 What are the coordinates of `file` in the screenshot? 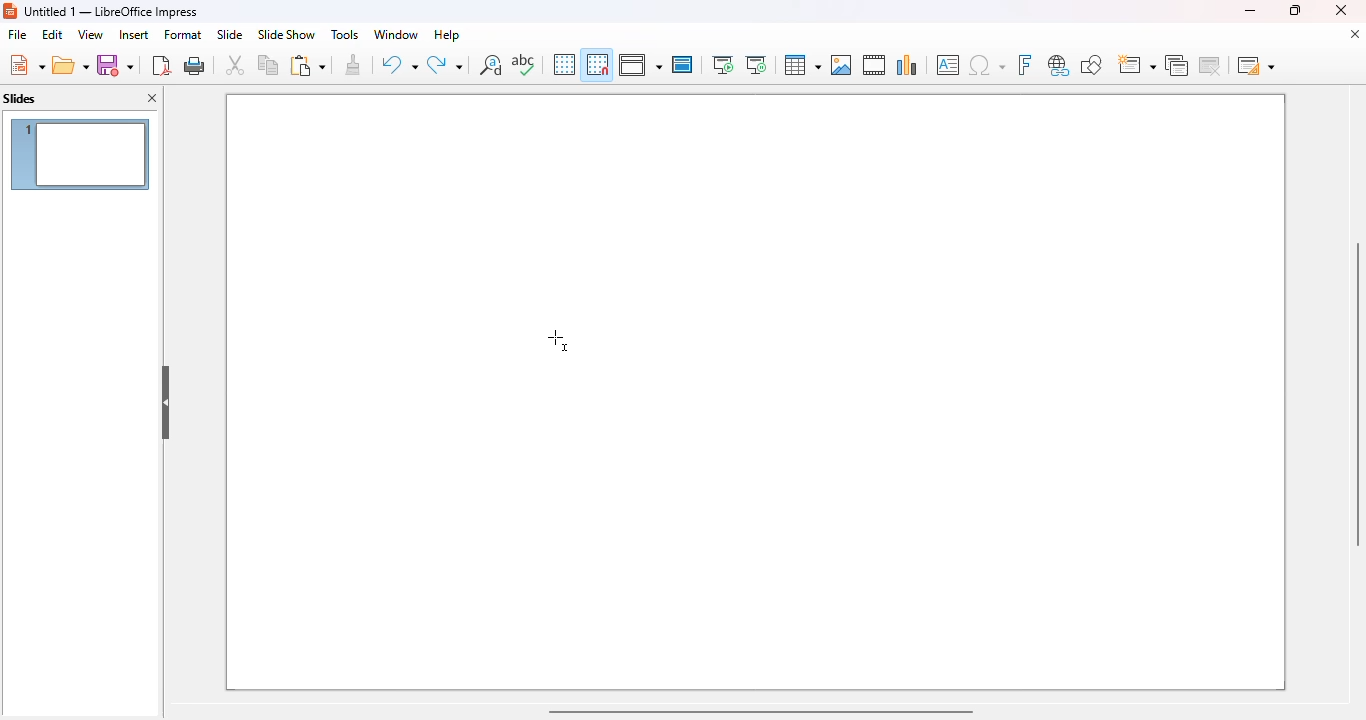 It's located at (17, 35).